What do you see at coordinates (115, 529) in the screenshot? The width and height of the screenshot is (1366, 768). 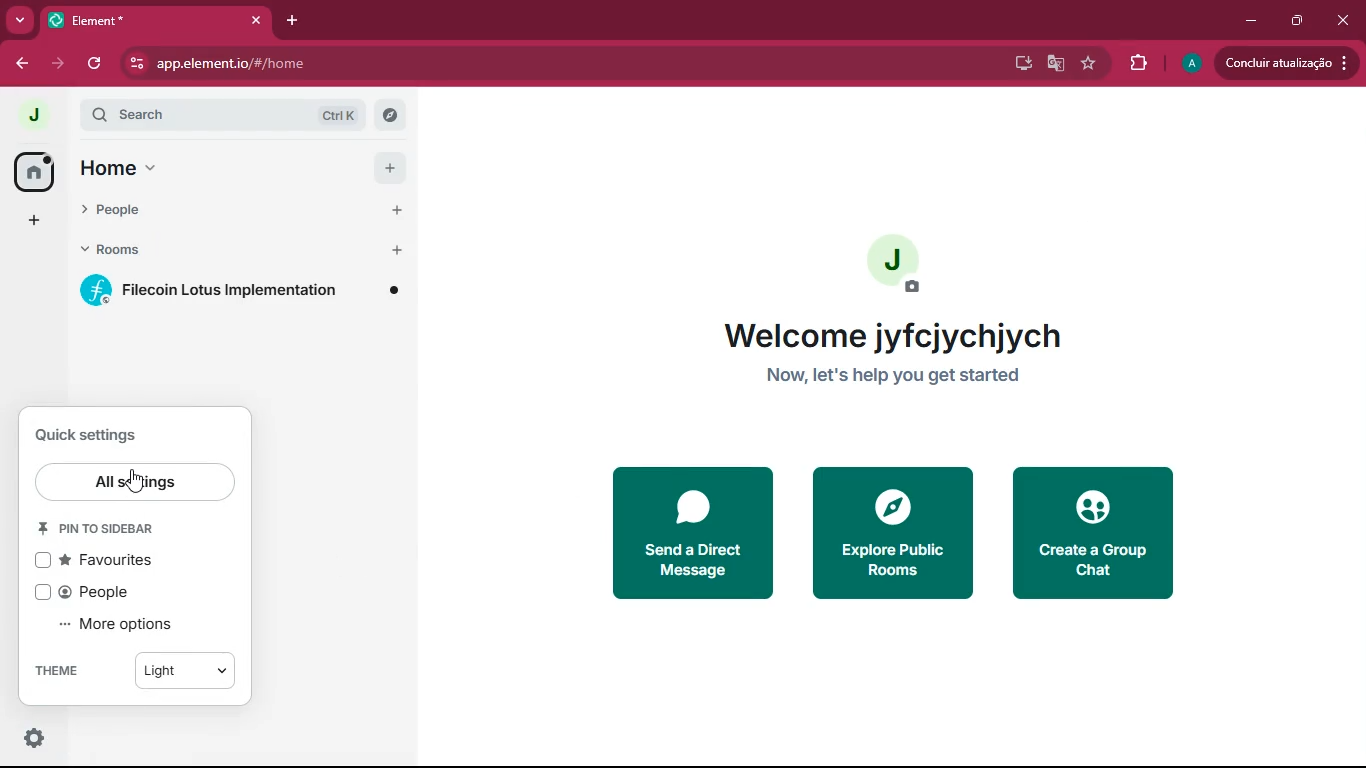 I see `pin to  sidebar` at bounding box center [115, 529].